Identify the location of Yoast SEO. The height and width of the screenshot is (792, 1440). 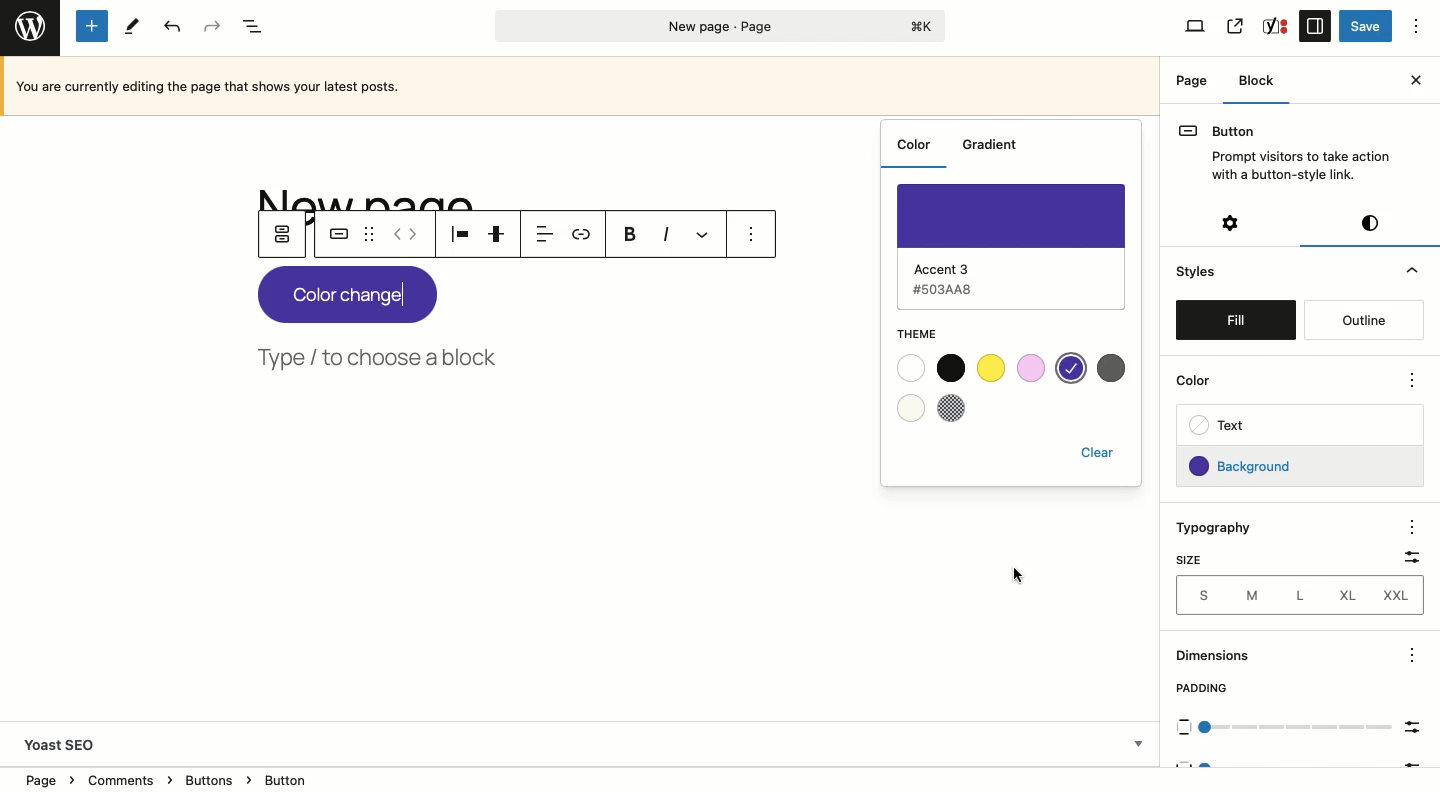
(581, 741).